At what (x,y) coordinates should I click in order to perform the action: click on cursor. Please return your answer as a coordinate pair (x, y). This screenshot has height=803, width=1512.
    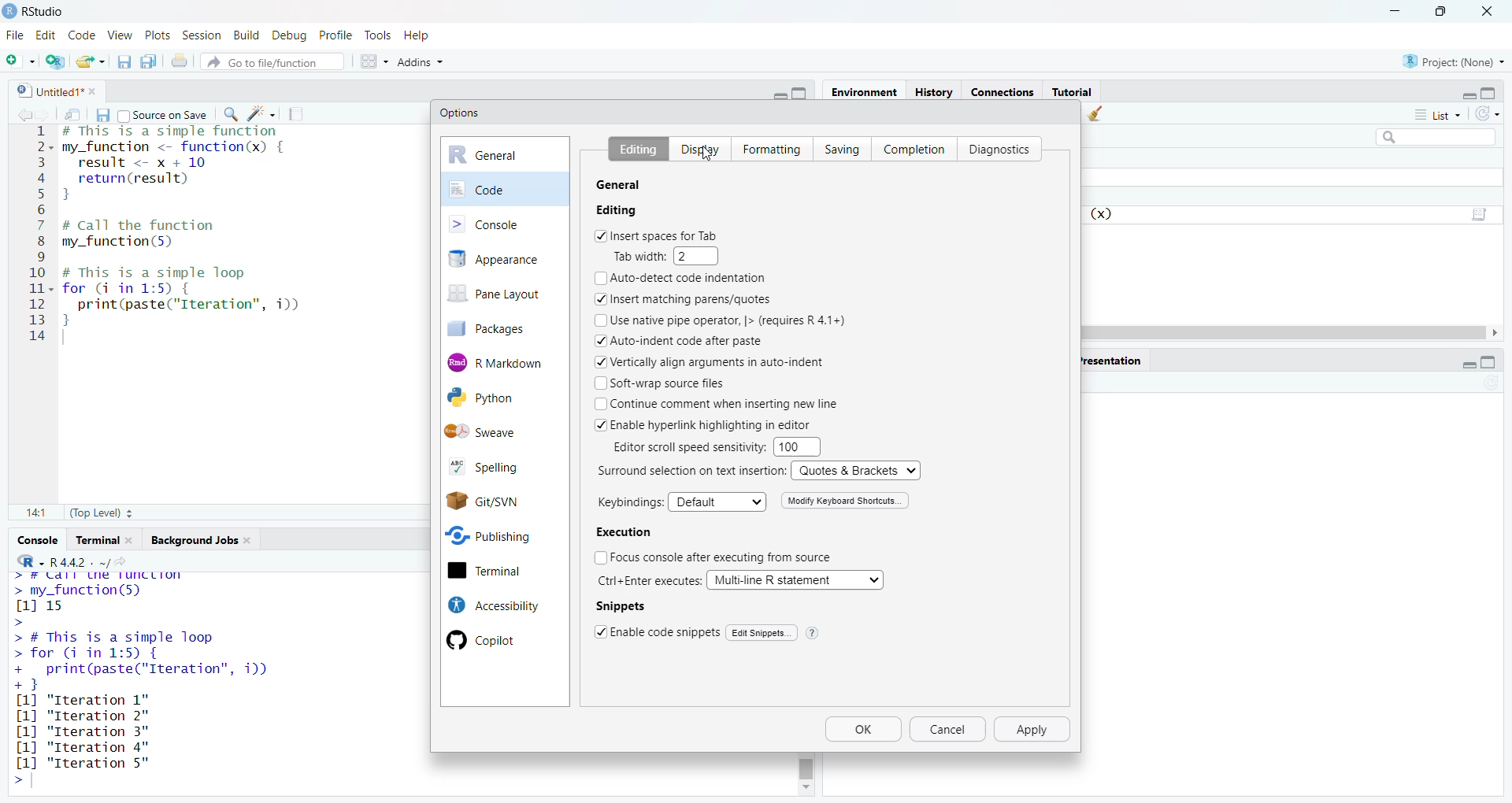
    Looking at the image, I should click on (706, 154).